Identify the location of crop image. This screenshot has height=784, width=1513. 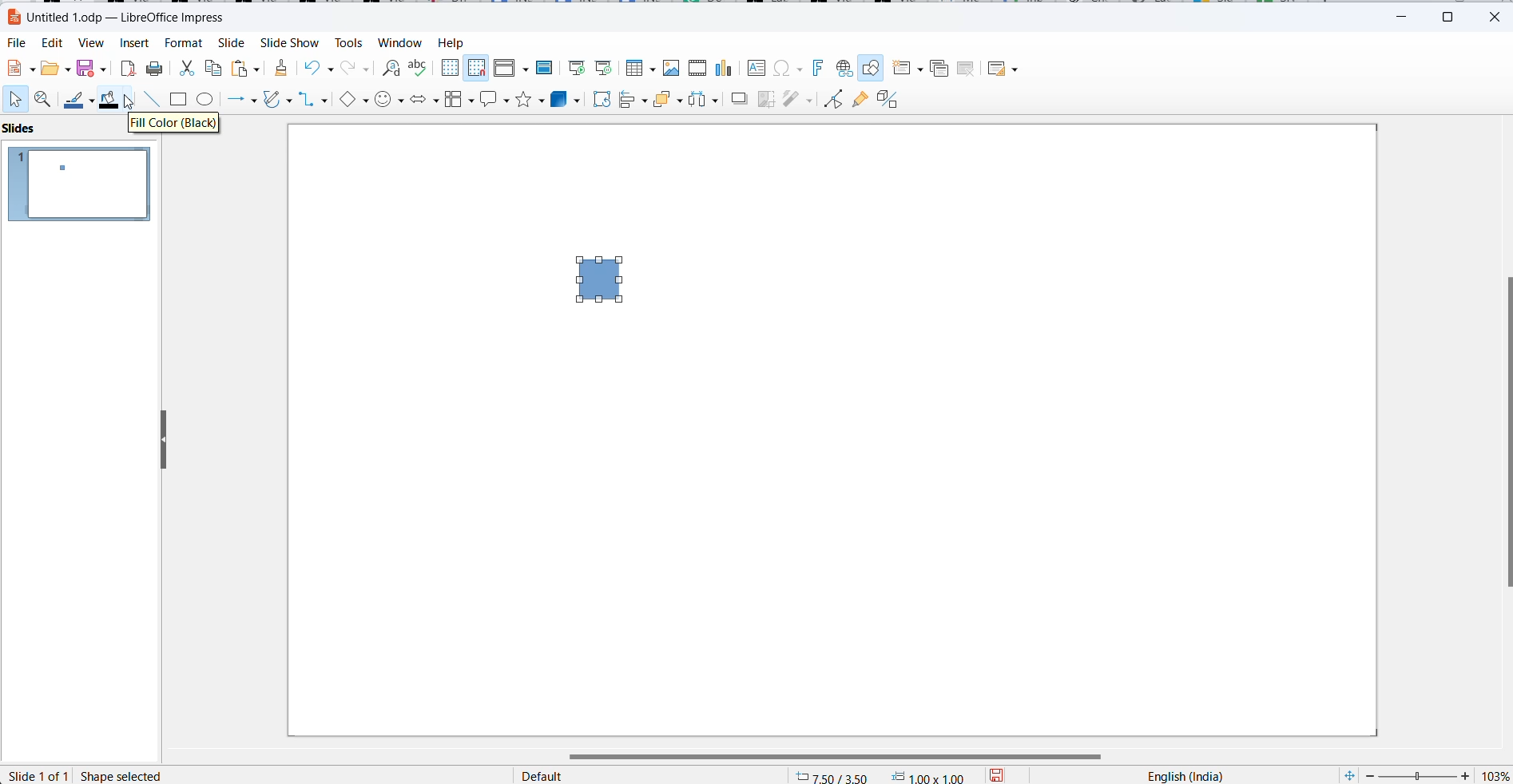
(766, 99).